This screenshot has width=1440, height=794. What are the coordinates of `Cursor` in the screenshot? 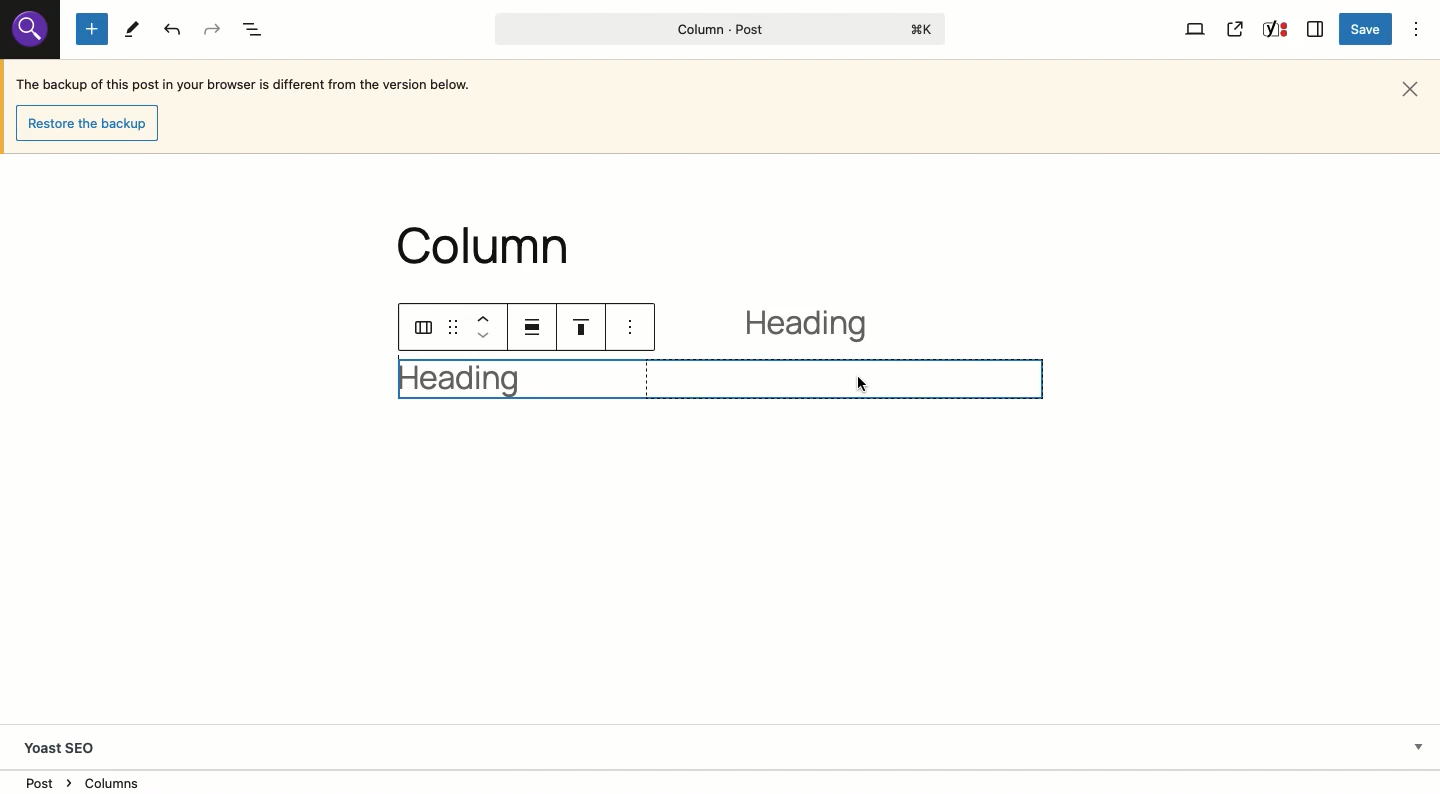 It's located at (862, 385).